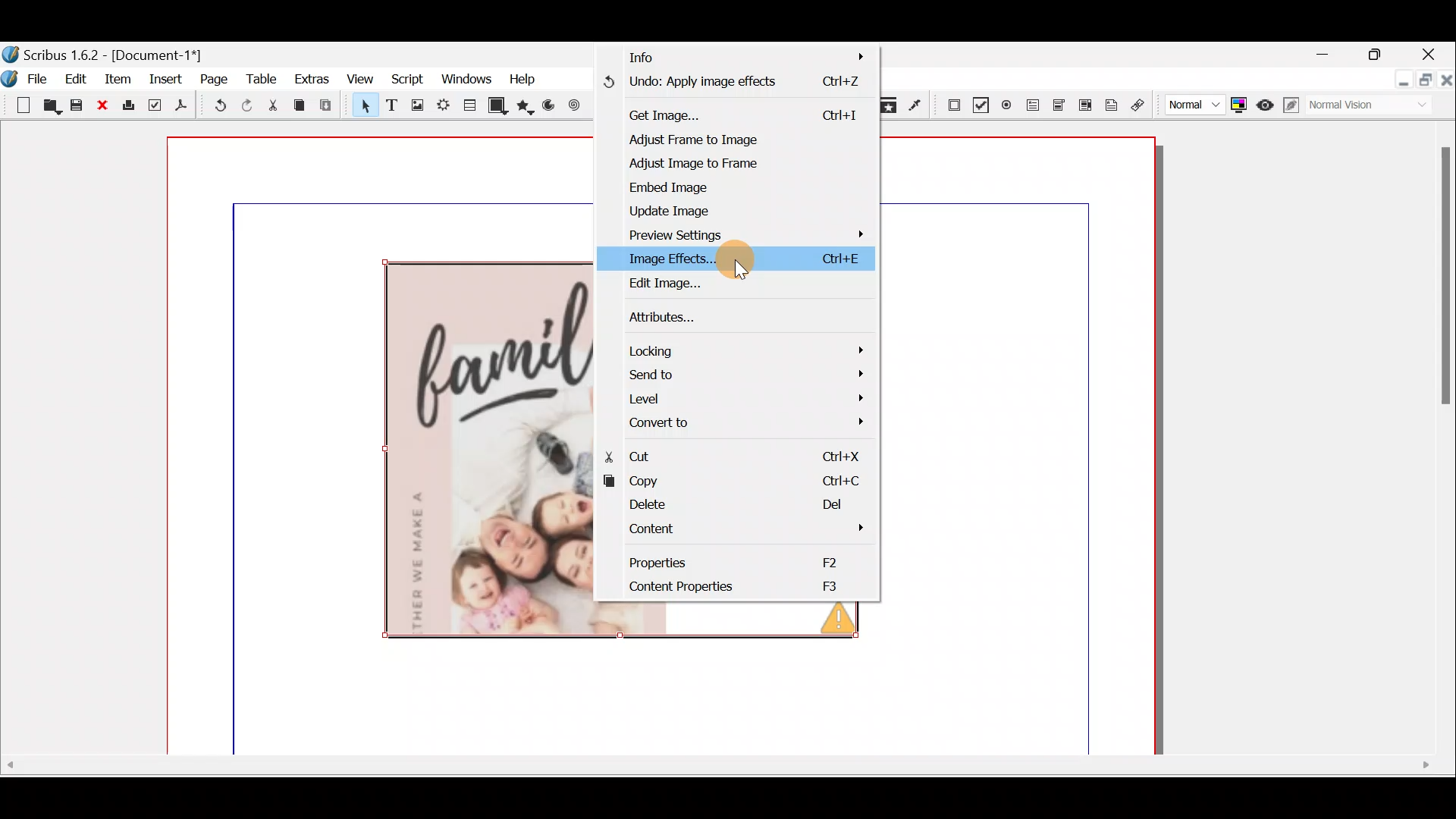 The height and width of the screenshot is (819, 1456). What do you see at coordinates (666, 257) in the screenshot?
I see `Image effects` at bounding box center [666, 257].